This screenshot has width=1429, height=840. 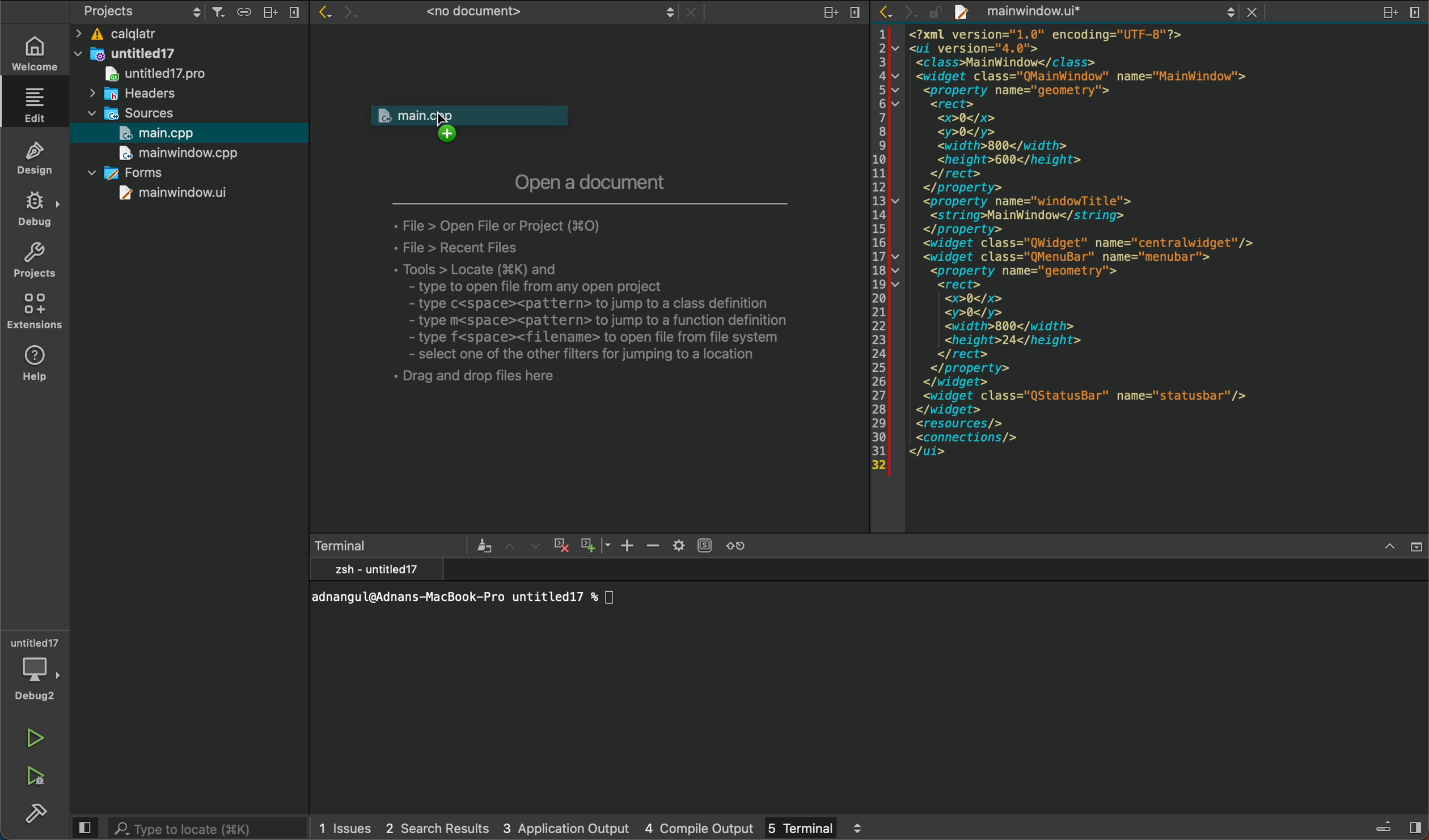 I want to click on main window, so click(x=175, y=154).